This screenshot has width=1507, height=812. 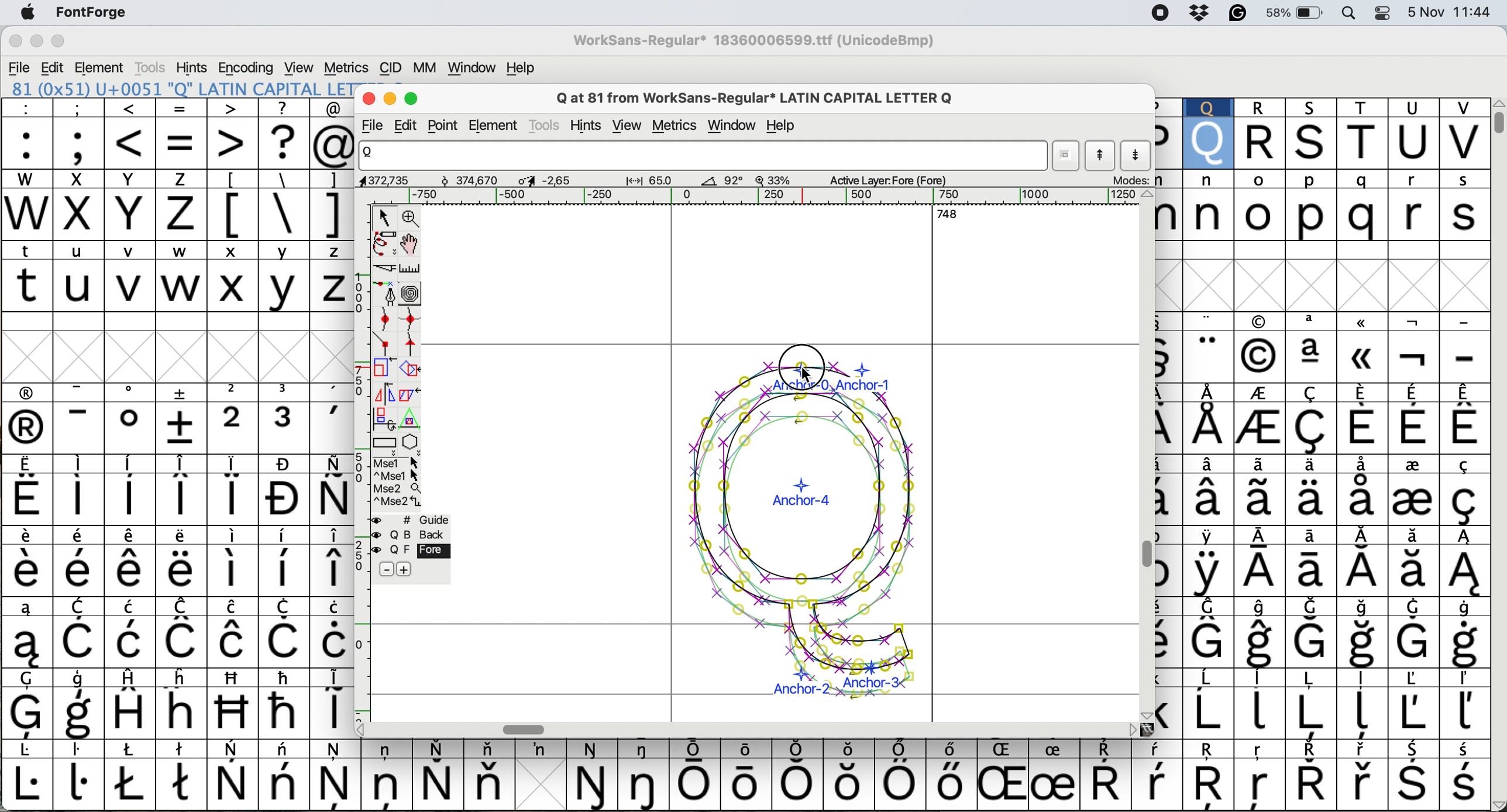 What do you see at coordinates (51, 67) in the screenshot?
I see `edit` at bounding box center [51, 67].